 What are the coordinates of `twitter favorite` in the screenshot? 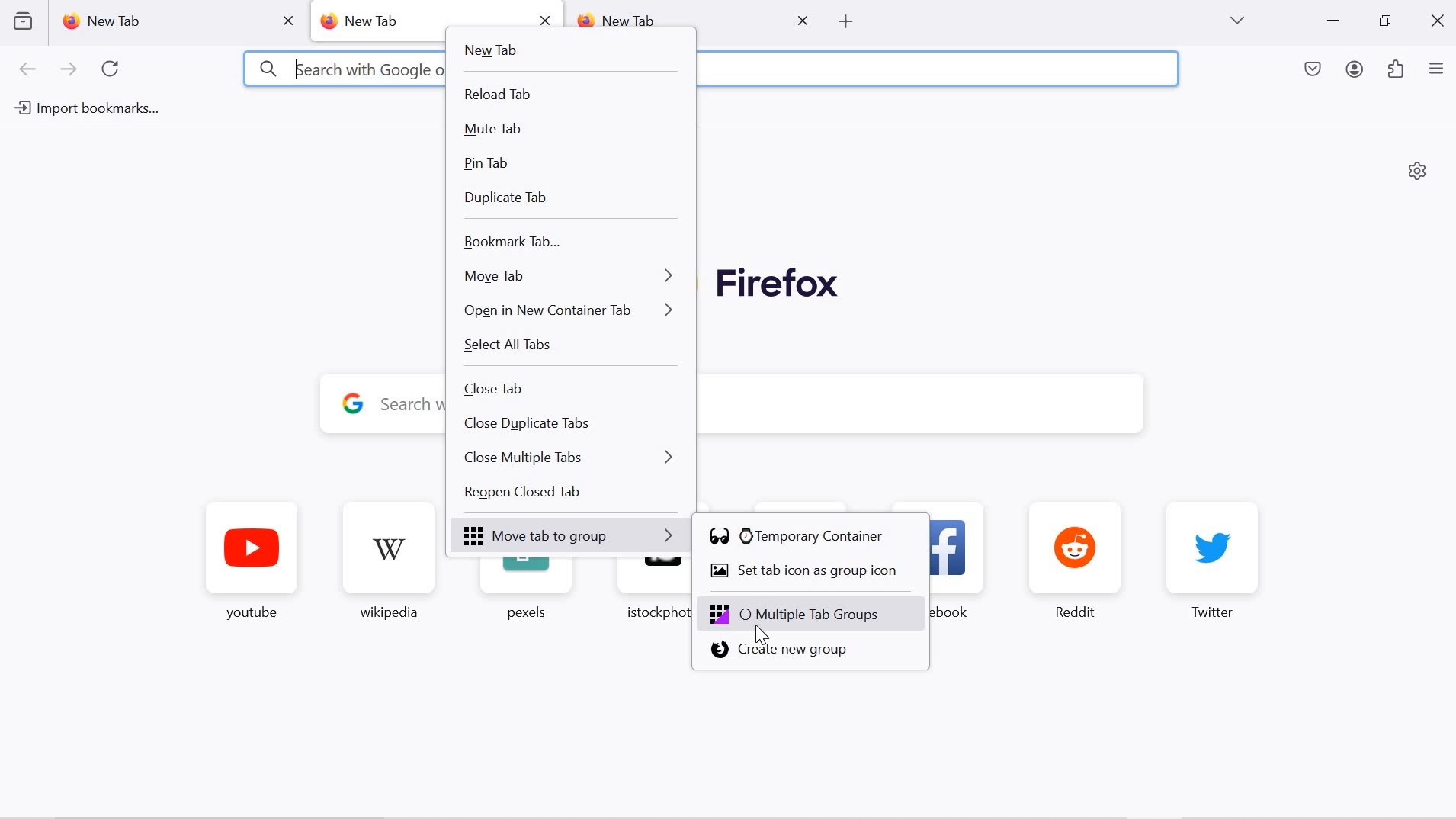 It's located at (1212, 564).